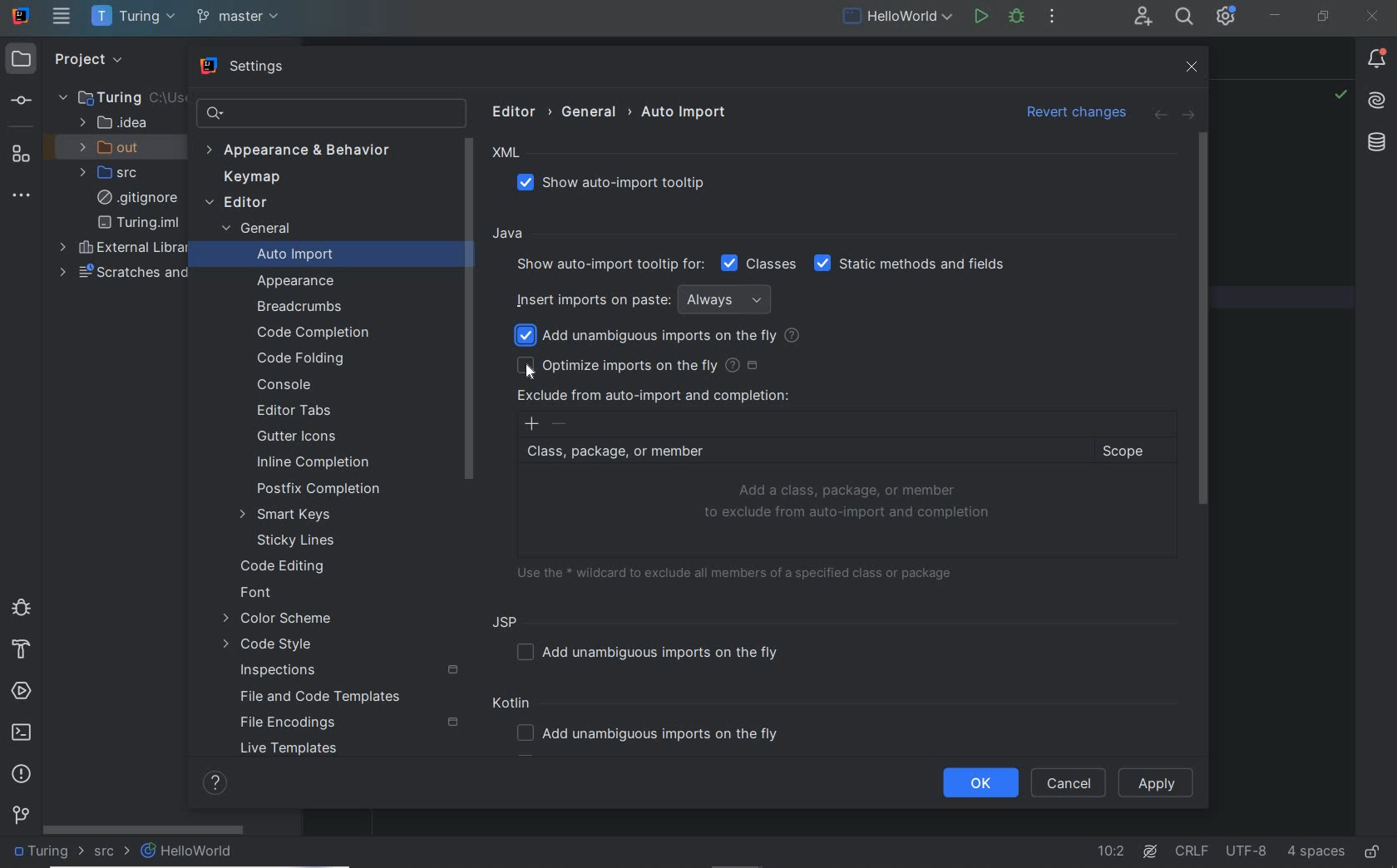  Describe the element at coordinates (1202, 318) in the screenshot. I see `SCROLLBAR` at that location.